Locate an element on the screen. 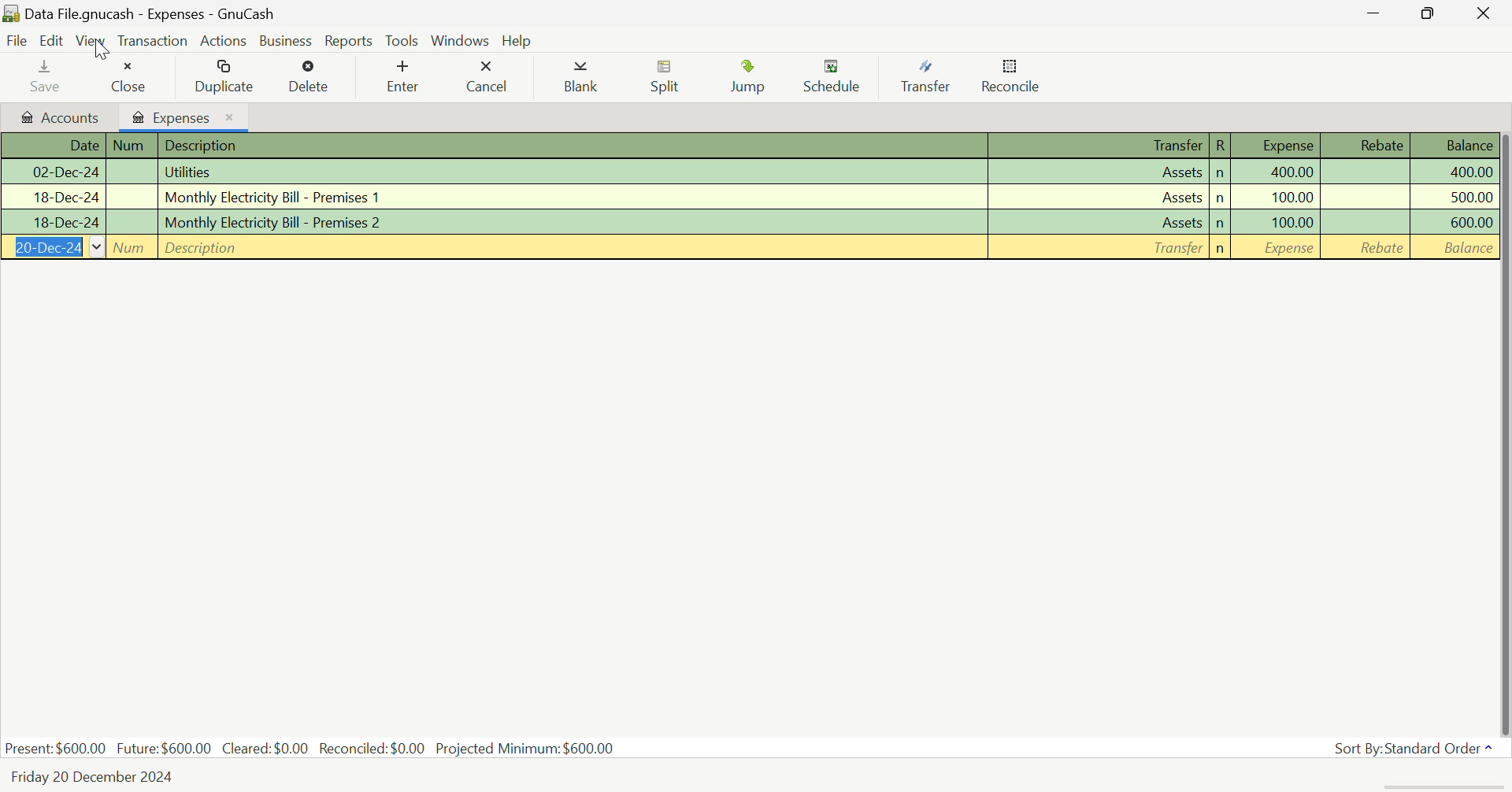  Schedule is located at coordinates (839, 79).